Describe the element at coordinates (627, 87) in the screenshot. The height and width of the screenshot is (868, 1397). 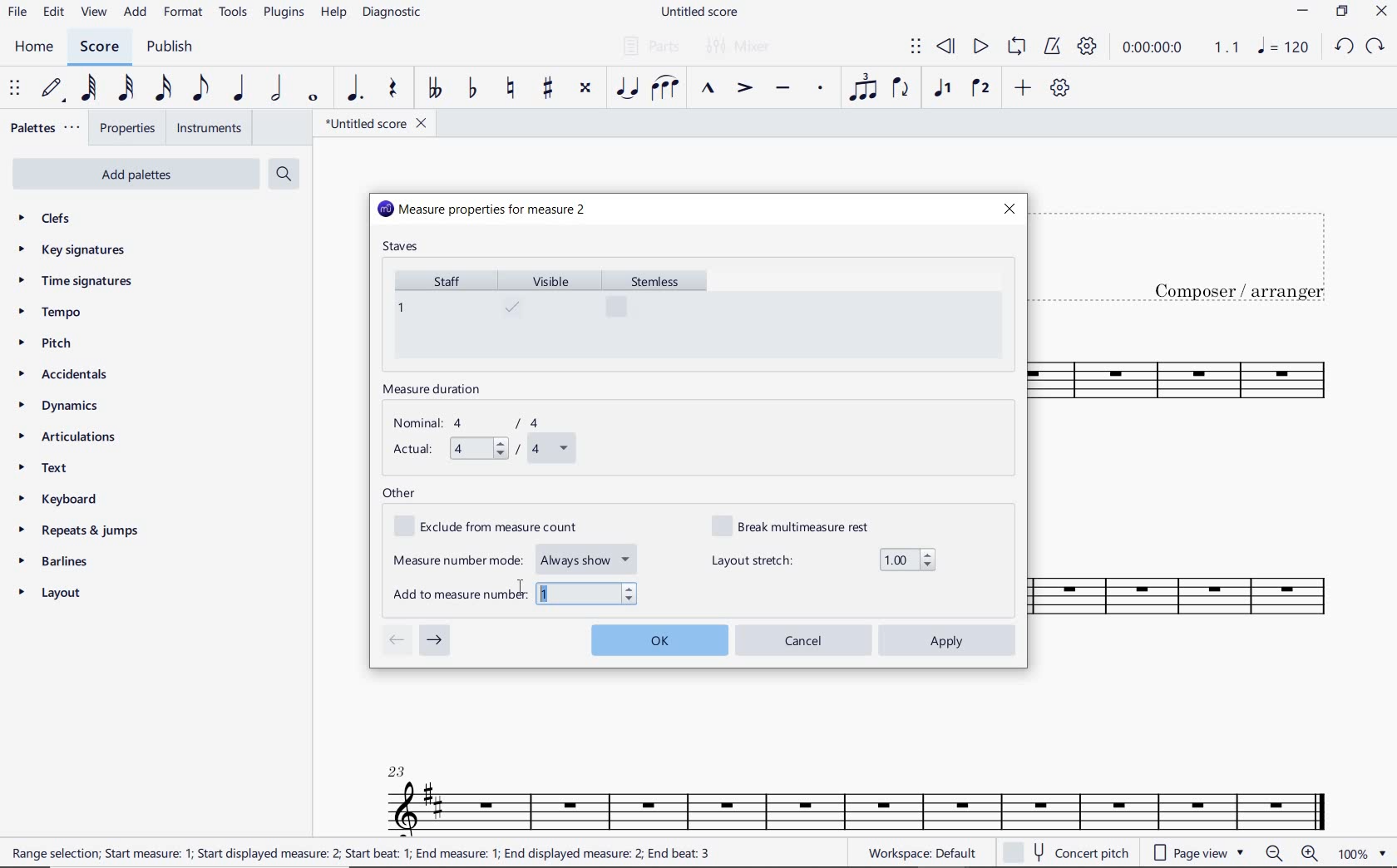
I see `TIE` at that location.